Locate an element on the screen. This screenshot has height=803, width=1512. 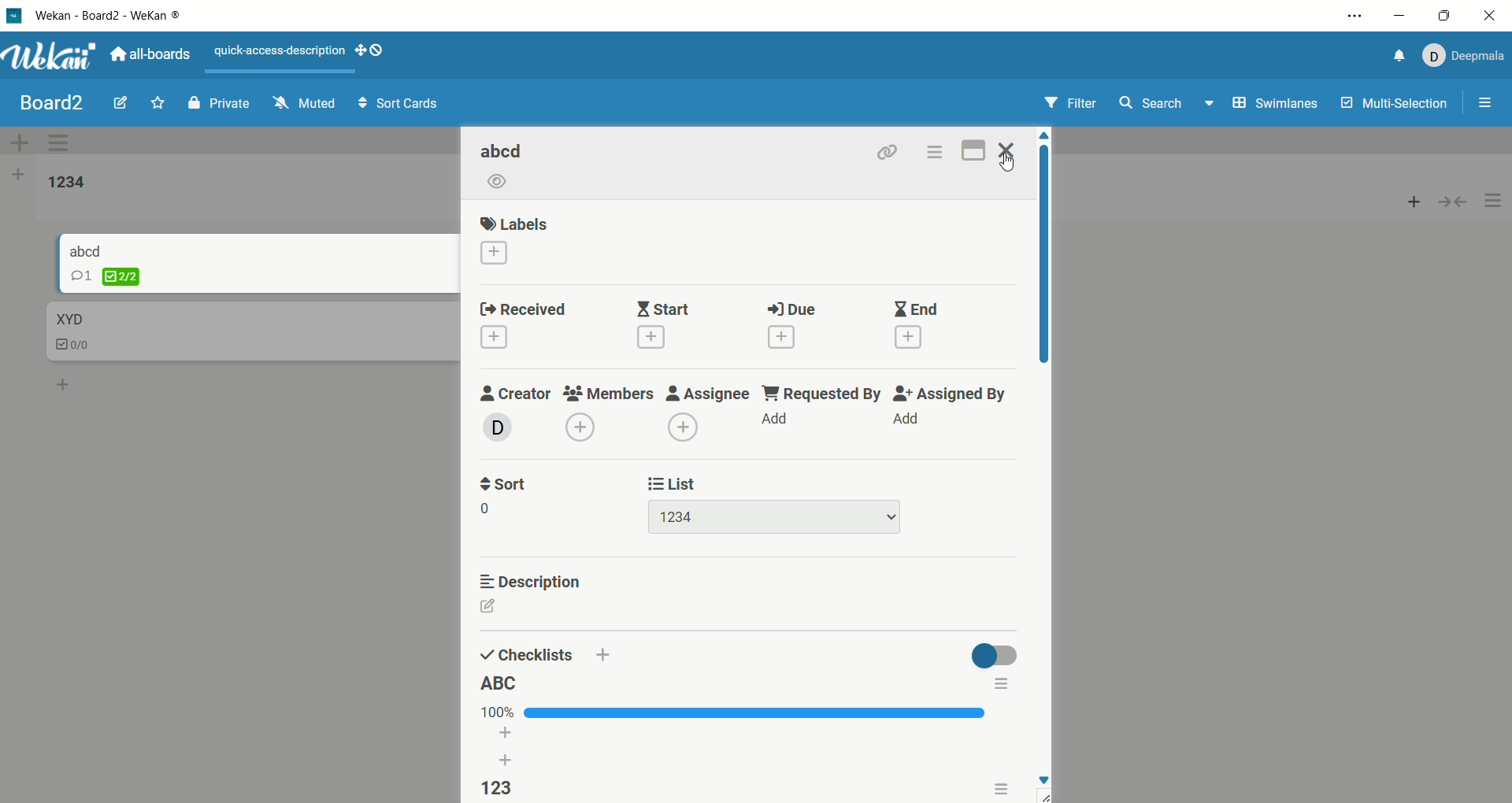
close is located at coordinates (1488, 15).